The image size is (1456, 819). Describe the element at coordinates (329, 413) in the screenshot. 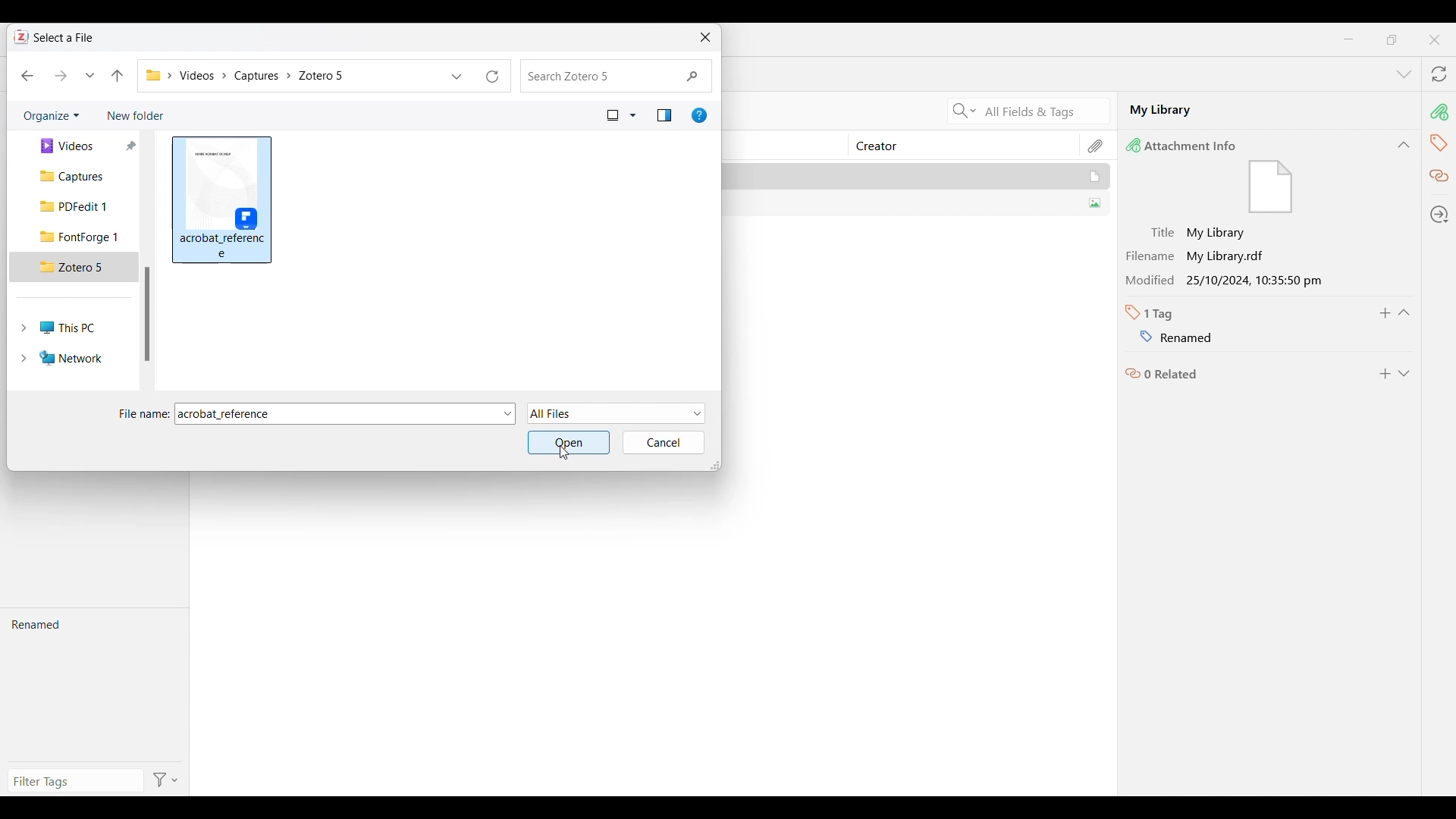

I see `File name changed to selected file` at that location.